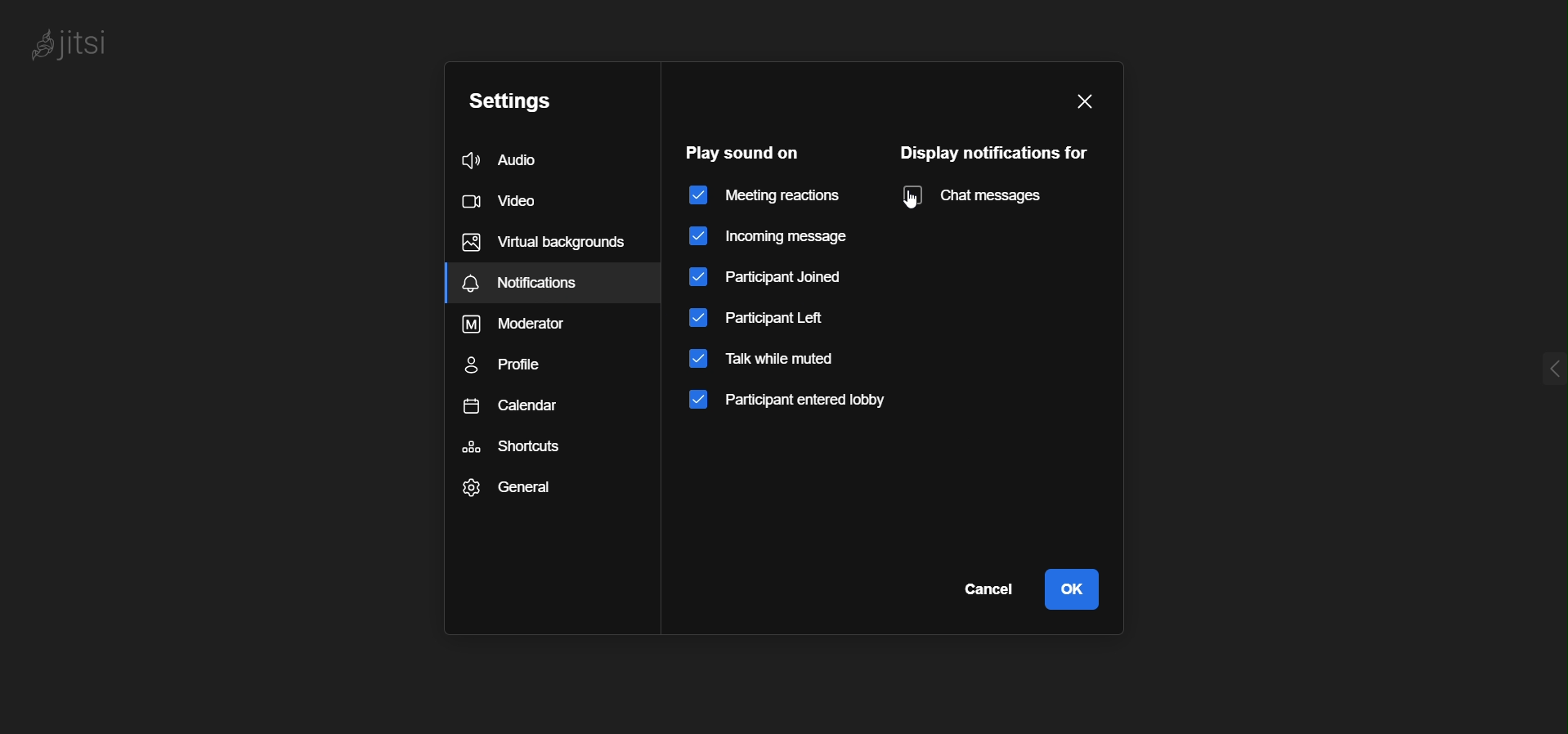 This screenshot has width=1568, height=734. What do you see at coordinates (765, 195) in the screenshot?
I see `meeting reactions` at bounding box center [765, 195].